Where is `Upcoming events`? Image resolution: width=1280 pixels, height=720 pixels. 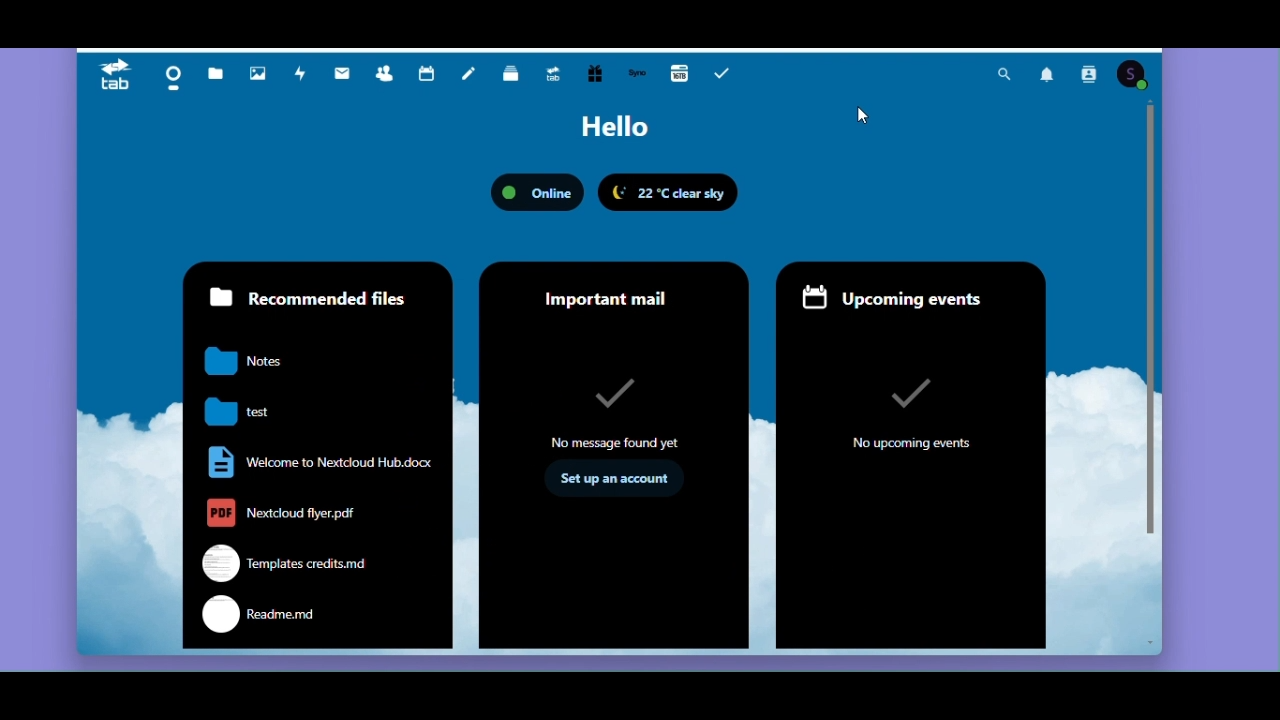 Upcoming events is located at coordinates (911, 293).